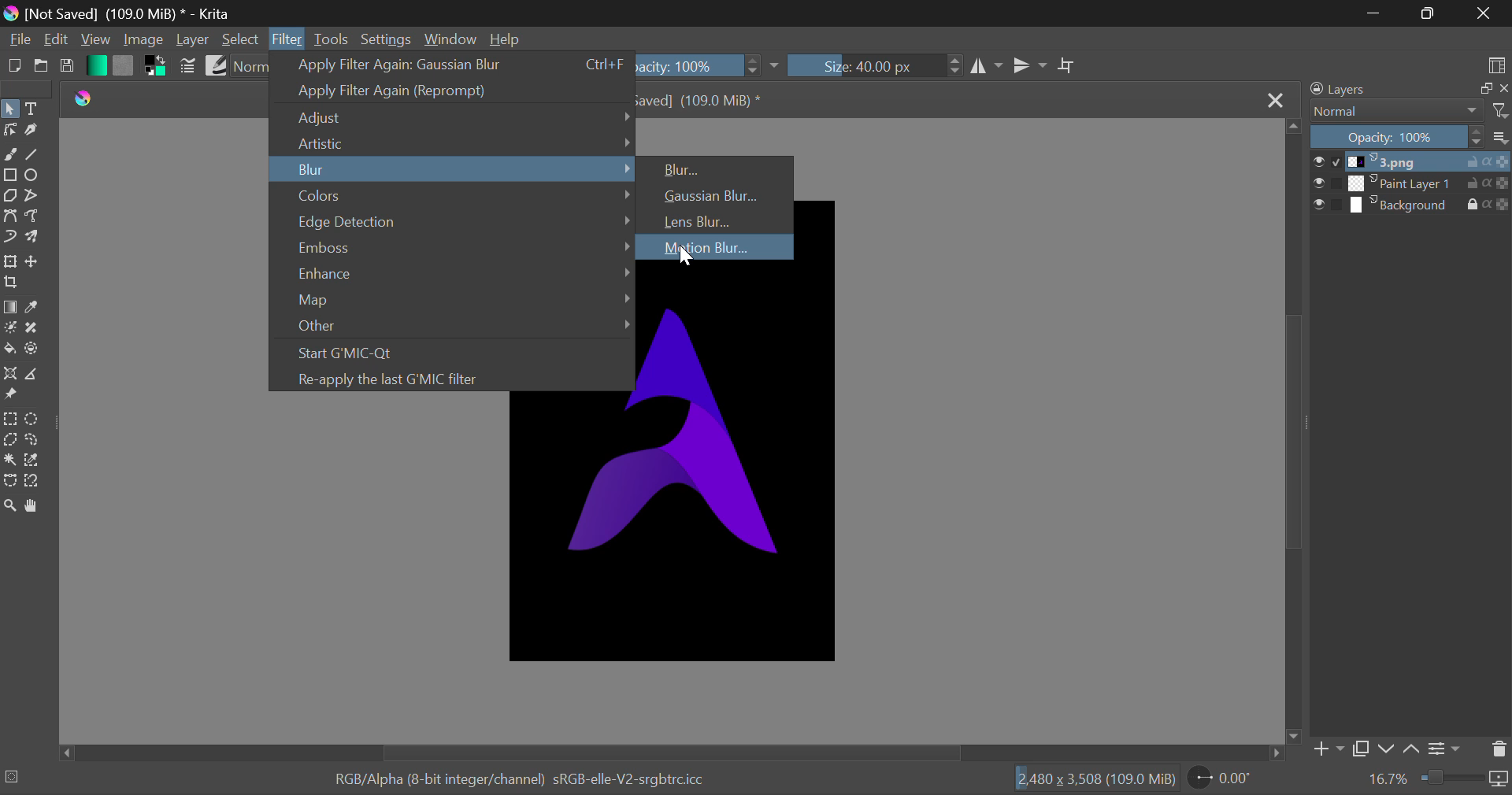 This screenshot has height=795, width=1512. I want to click on Minimize, so click(1427, 13).